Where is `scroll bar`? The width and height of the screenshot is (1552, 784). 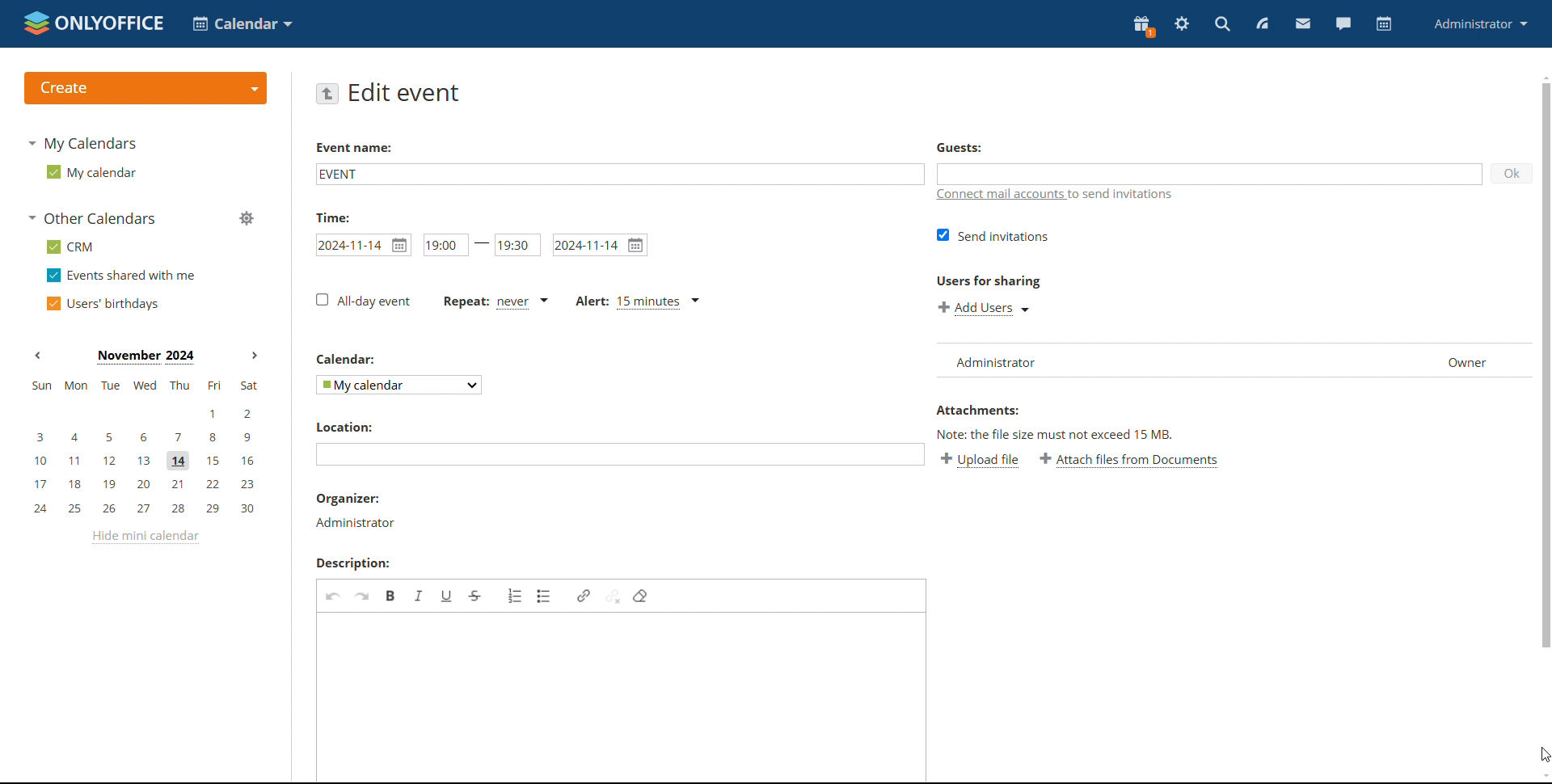 scroll bar is located at coordinates (1542, 367).